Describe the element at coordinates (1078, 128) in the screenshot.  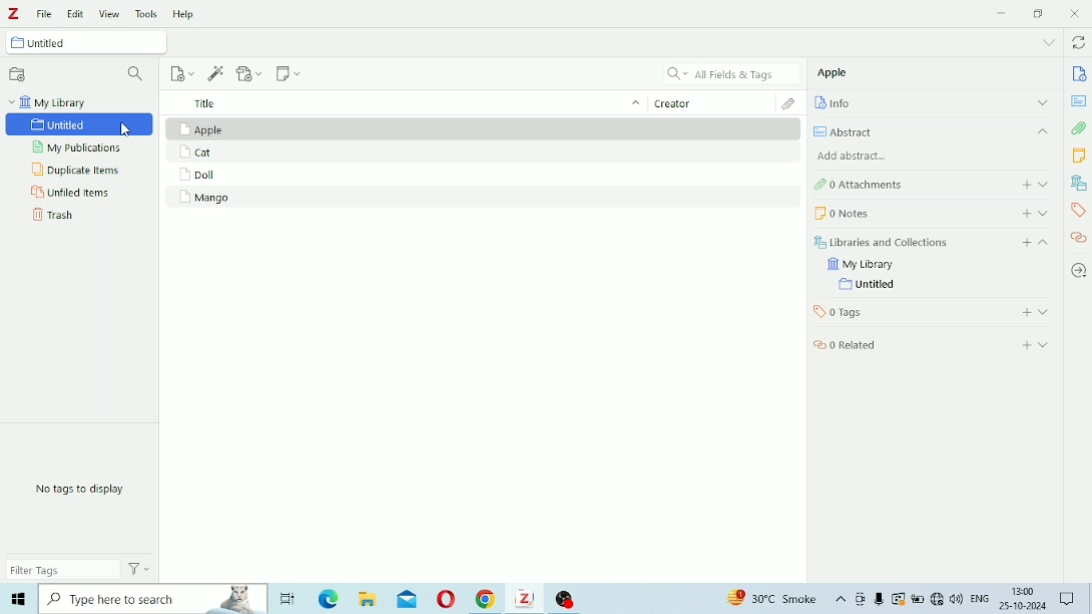
I see `Attachments` at that location.